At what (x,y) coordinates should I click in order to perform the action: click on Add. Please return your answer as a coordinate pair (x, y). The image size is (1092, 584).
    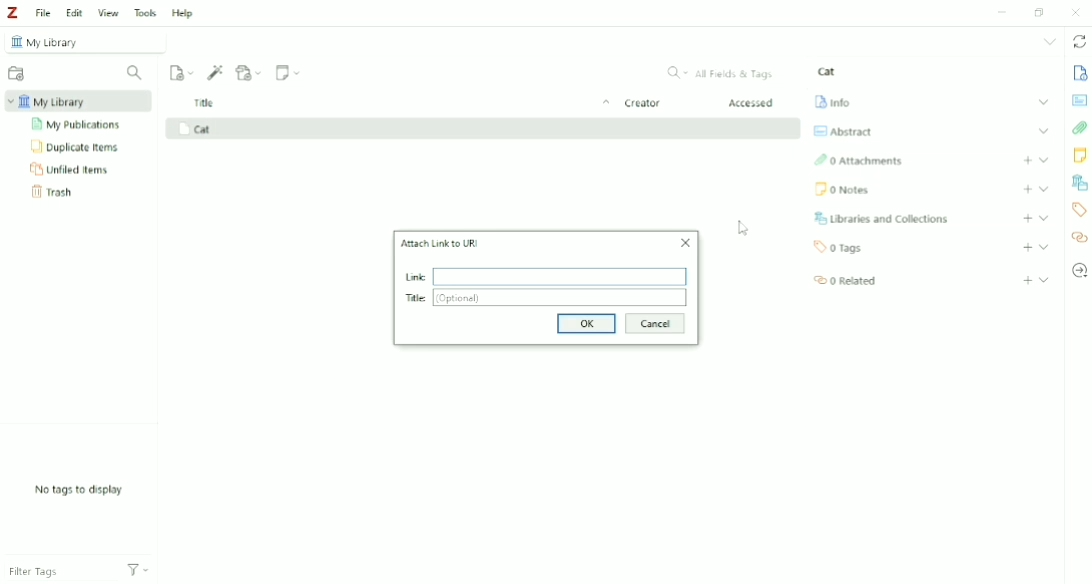
    Looking at the image, I should click on (1028, 281).